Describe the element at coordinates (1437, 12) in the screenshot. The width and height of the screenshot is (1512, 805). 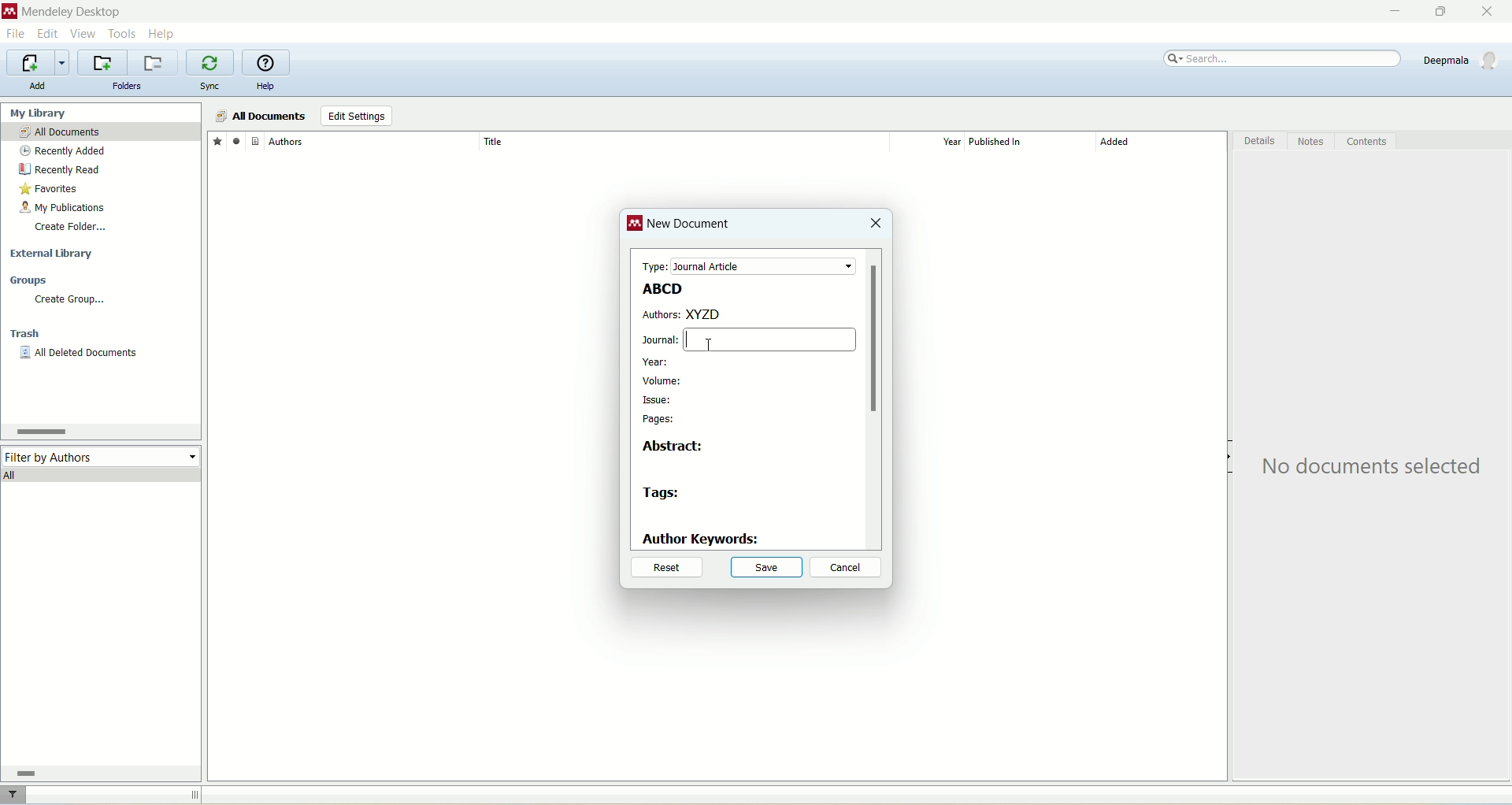
I see `maximize` at that location.